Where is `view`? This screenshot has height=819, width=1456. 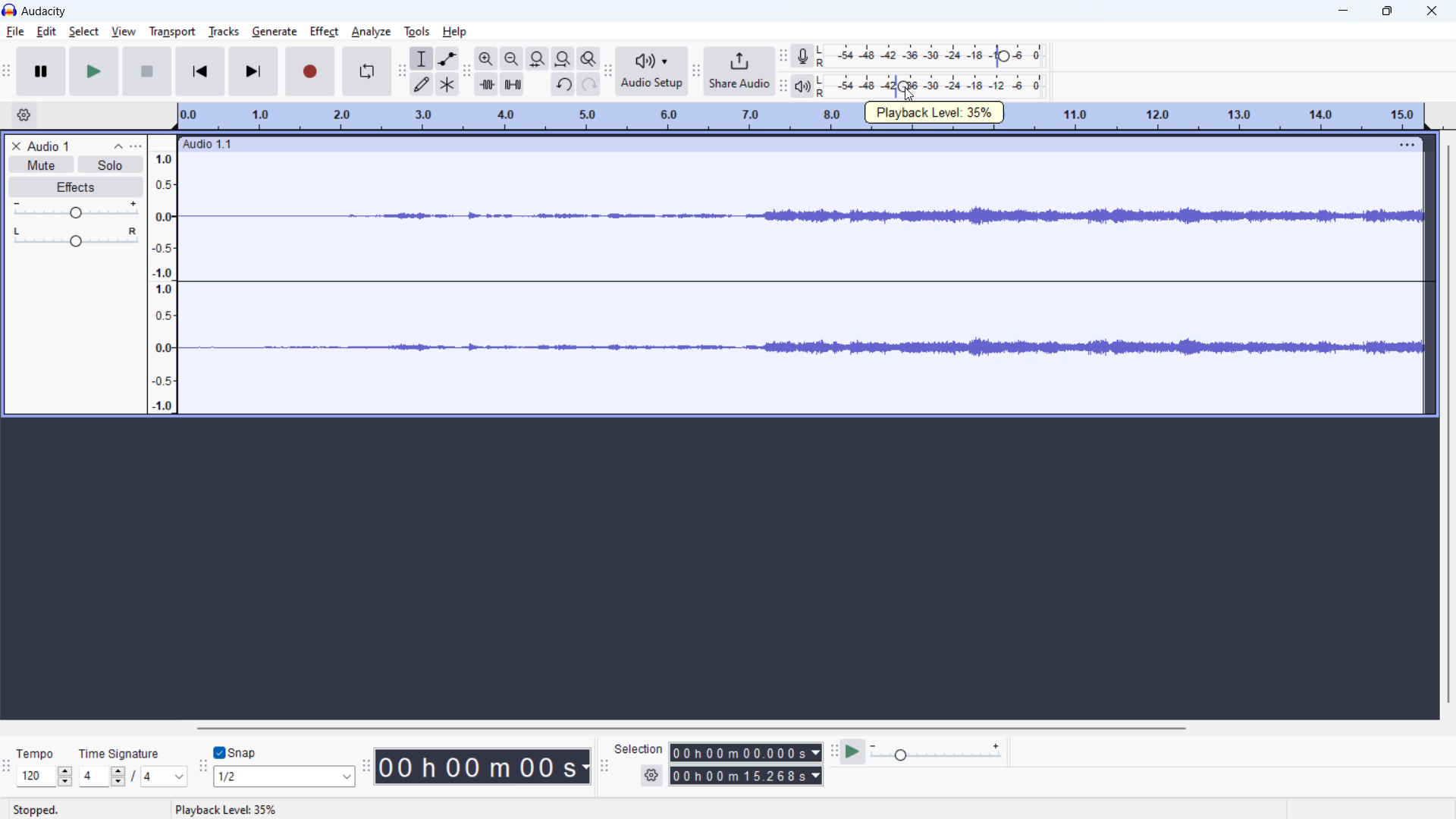 view is located at coordinates (124, 31).